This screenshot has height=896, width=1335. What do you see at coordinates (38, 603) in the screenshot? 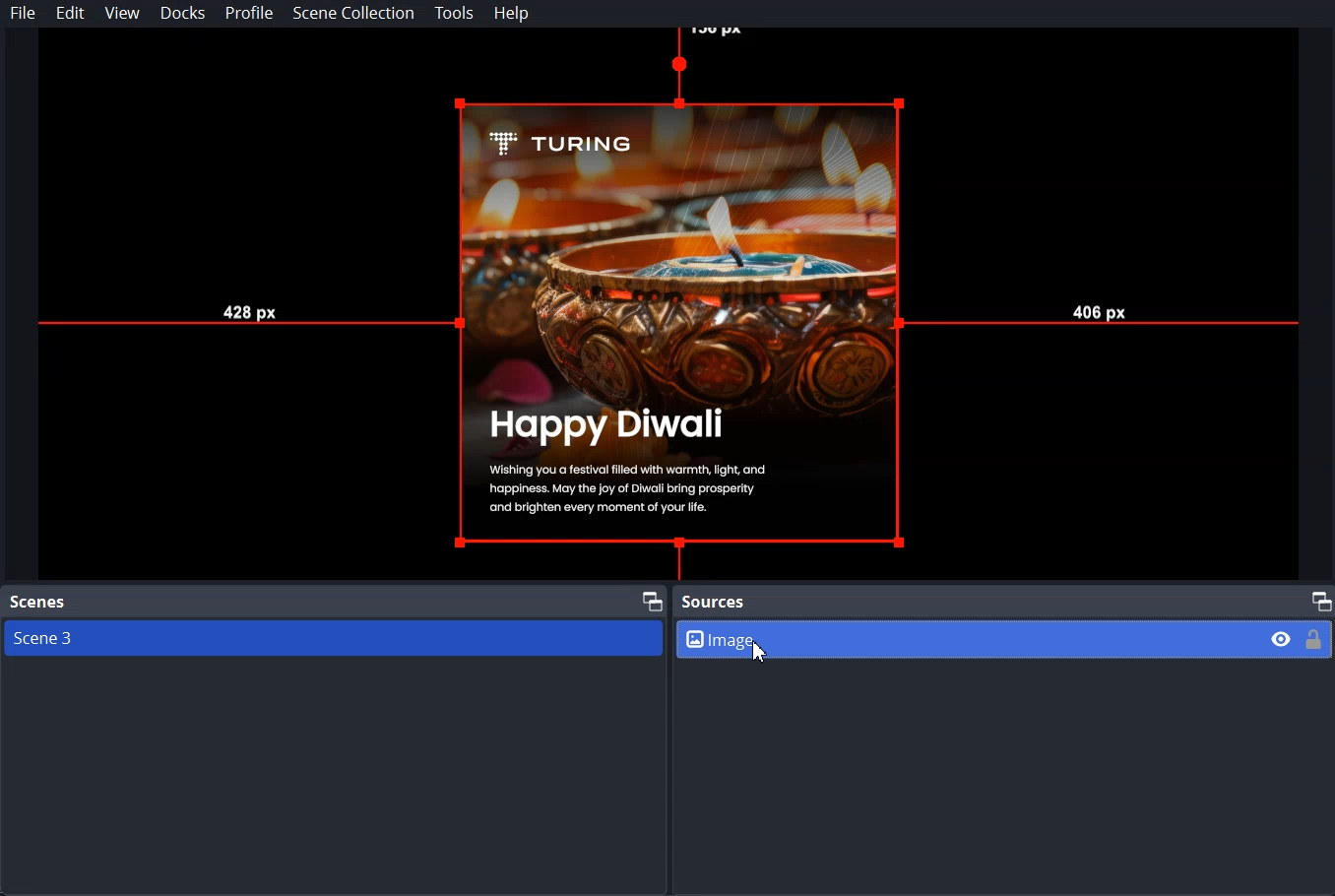
I see `Text` at bounding box center [38, 603].